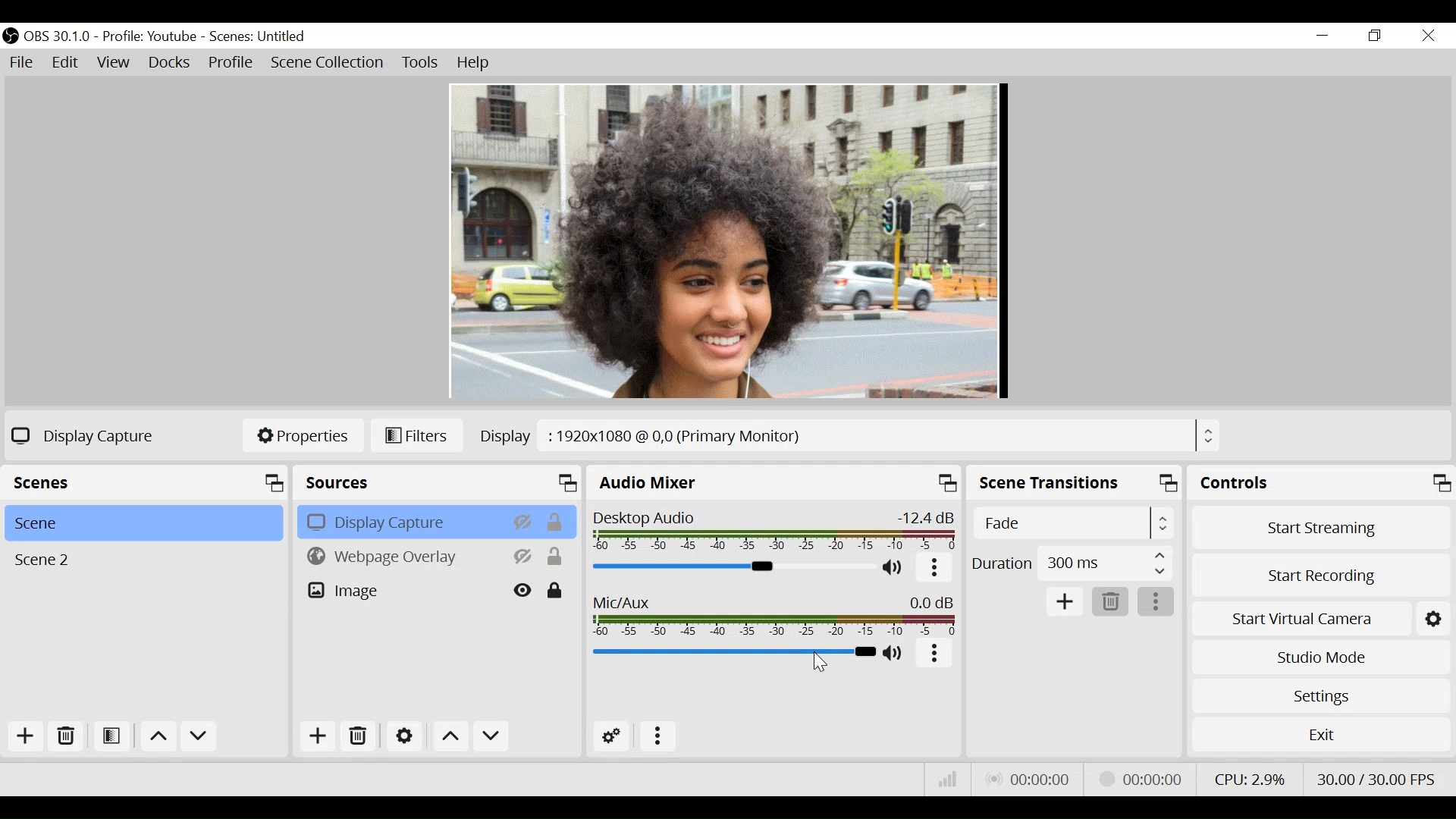 Image resolution: width=1456 pixels, height=819 pixels. What do you see at coordinates (848, 436) in the screenshot?
I see `Display Browse` at bounding box center [848, 436].